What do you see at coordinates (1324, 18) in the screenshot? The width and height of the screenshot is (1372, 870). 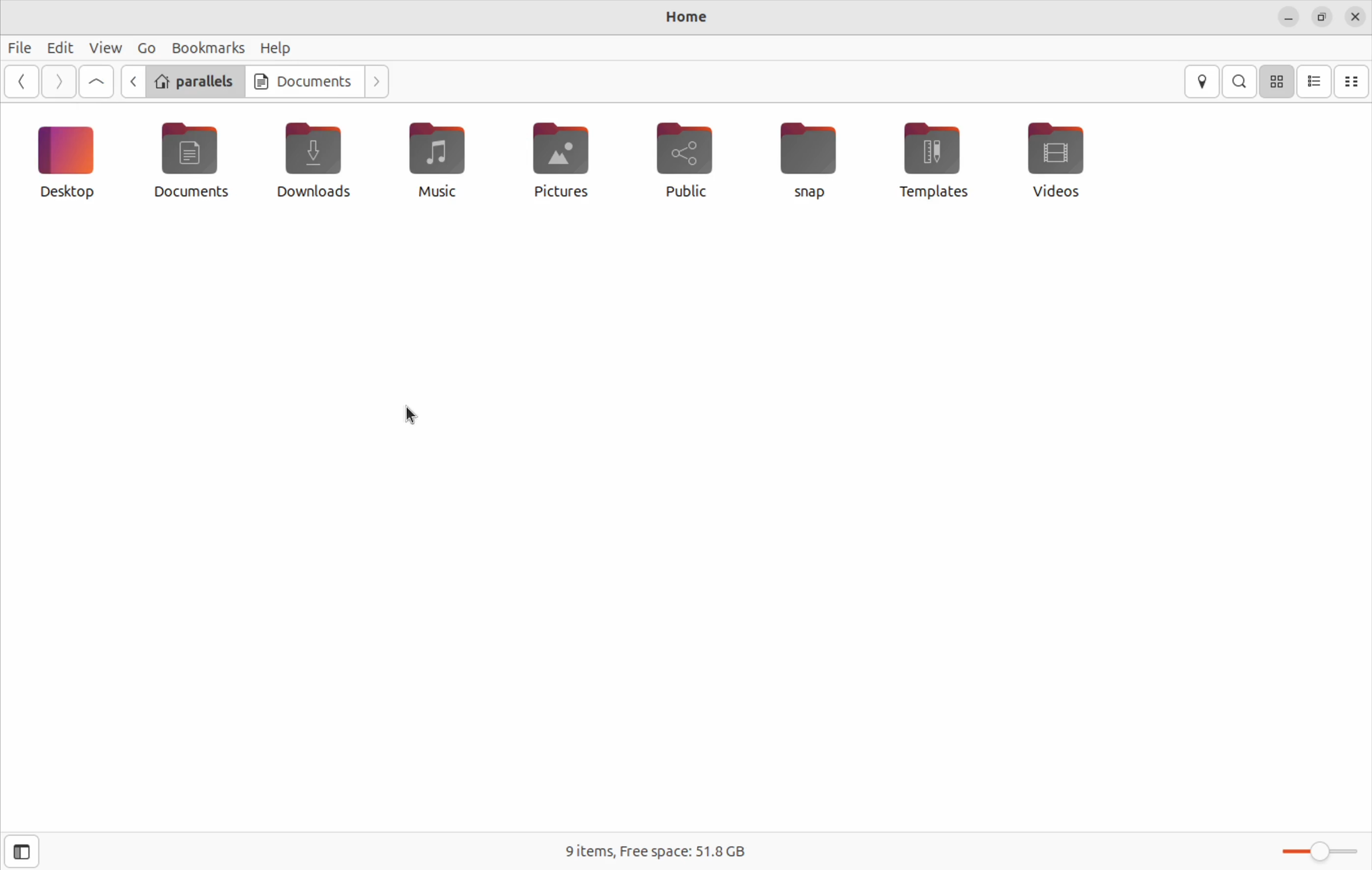 I see `resize` at bounding box center [1324, 18].